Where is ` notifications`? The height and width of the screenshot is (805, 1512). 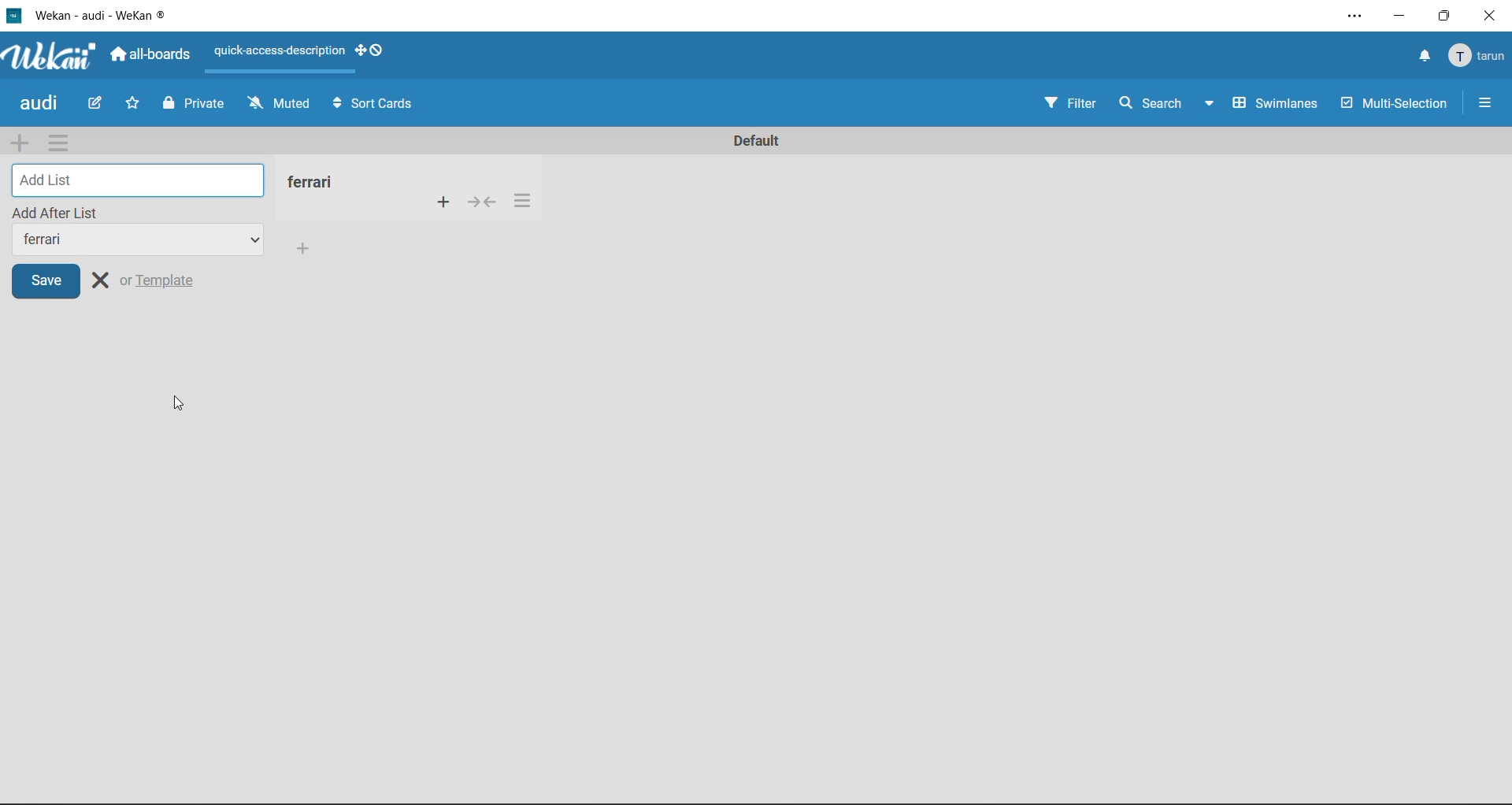  notifications is located at coordinates (1421, 57).